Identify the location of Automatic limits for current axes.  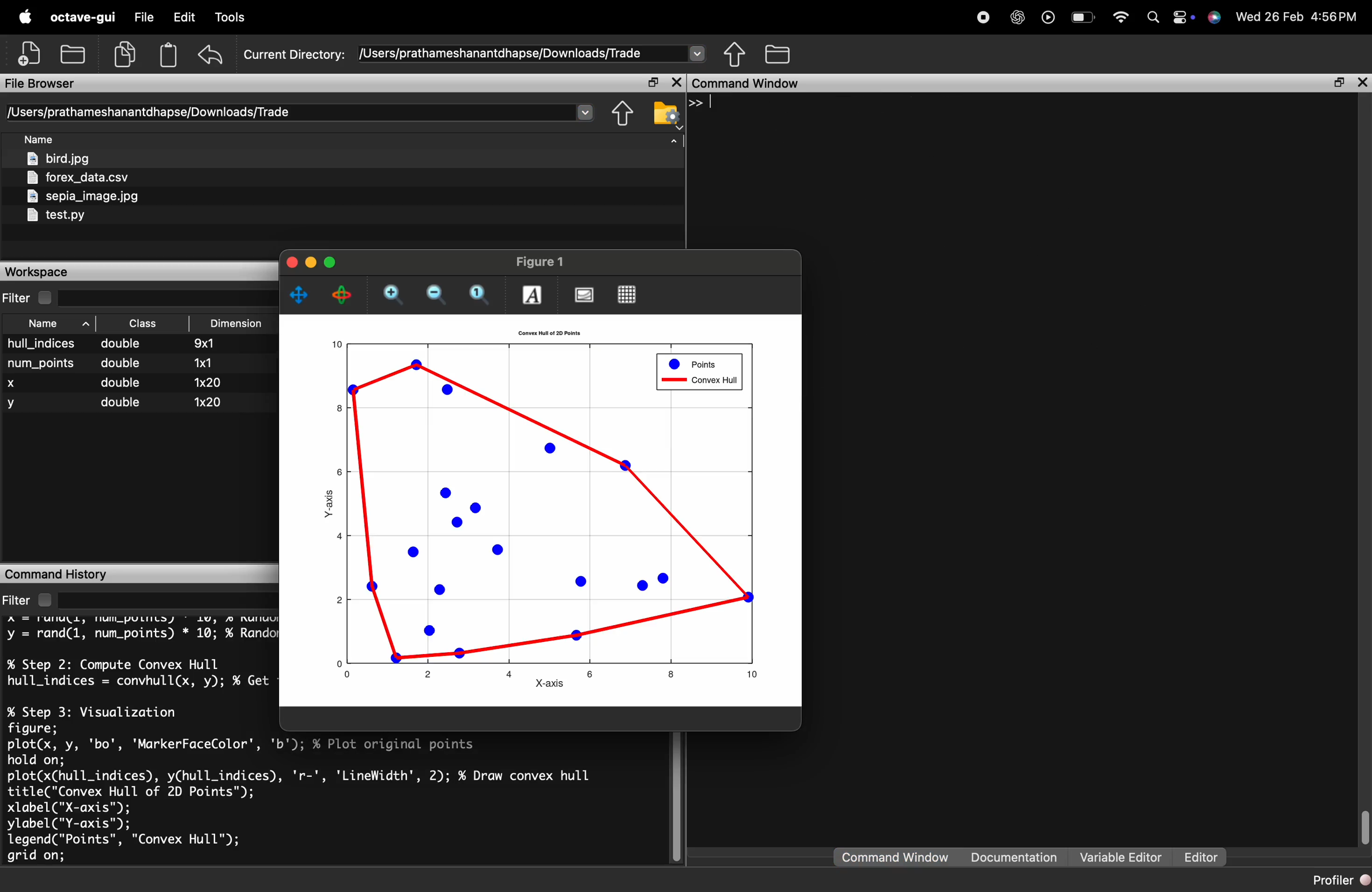
(481, 295).